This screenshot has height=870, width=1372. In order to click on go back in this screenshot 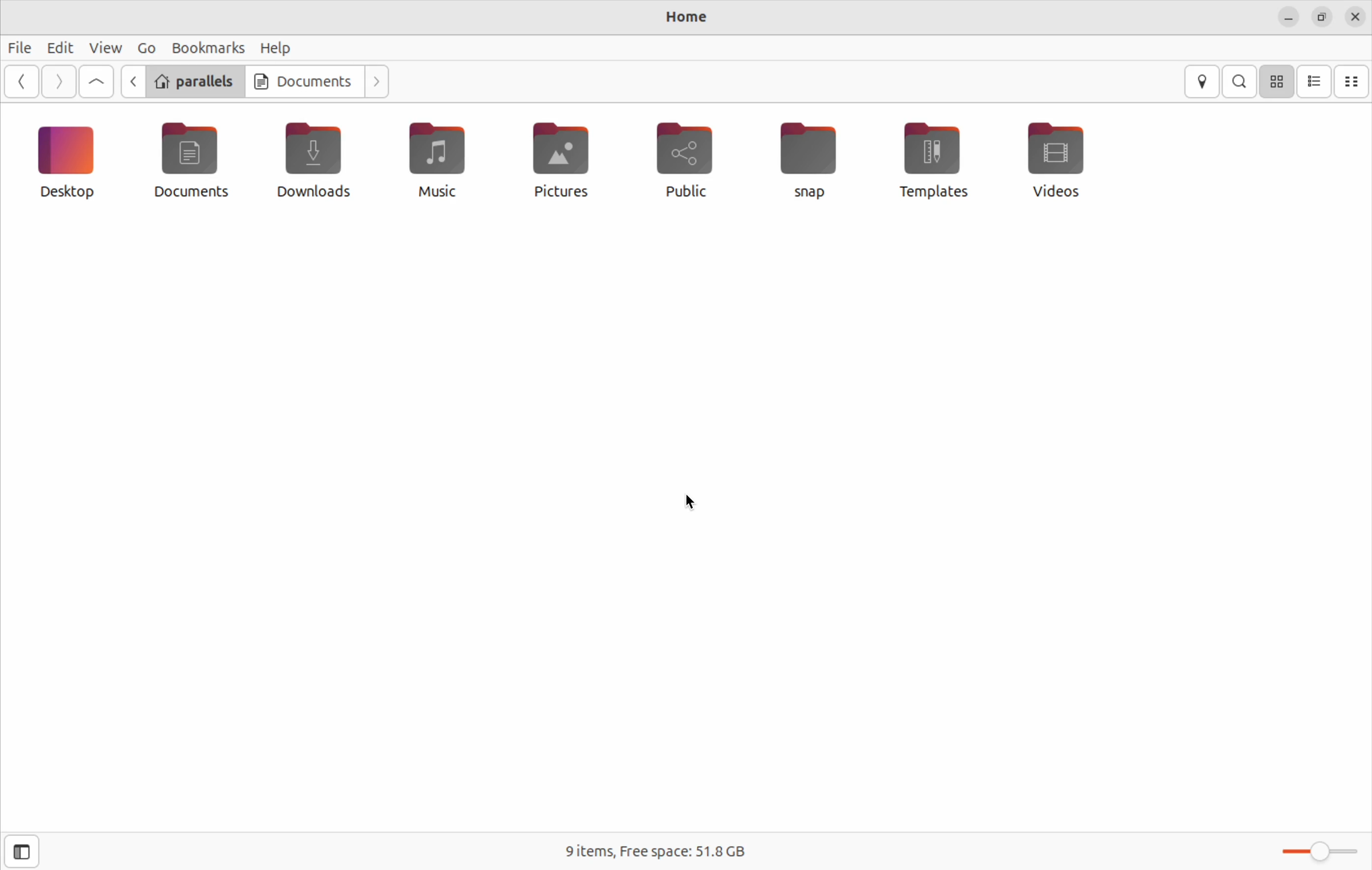, I will do `click(25, 82)`.